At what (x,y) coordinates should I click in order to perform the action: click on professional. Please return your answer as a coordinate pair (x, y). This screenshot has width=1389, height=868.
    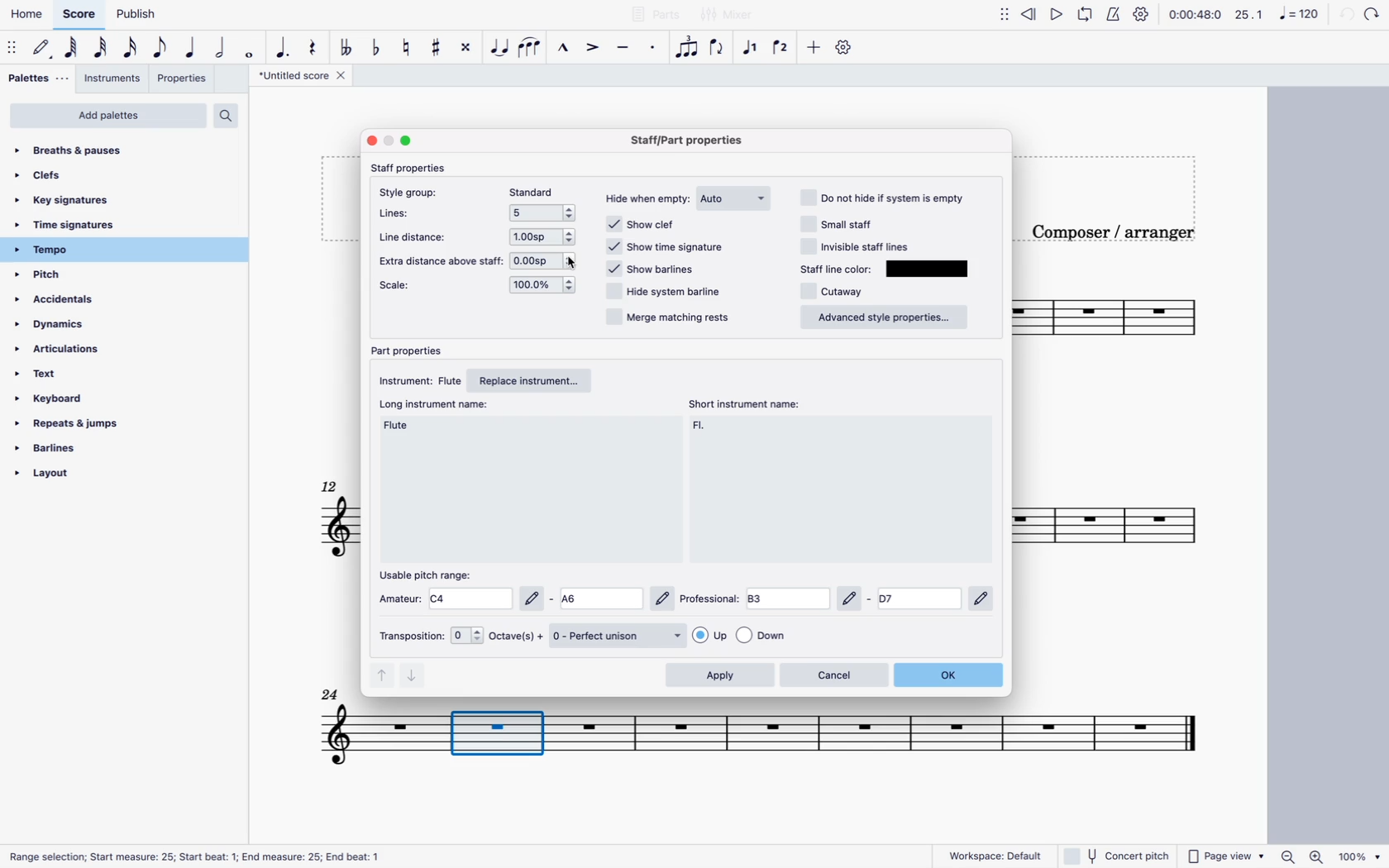
    Looking at the image, I should click on (841, 599).